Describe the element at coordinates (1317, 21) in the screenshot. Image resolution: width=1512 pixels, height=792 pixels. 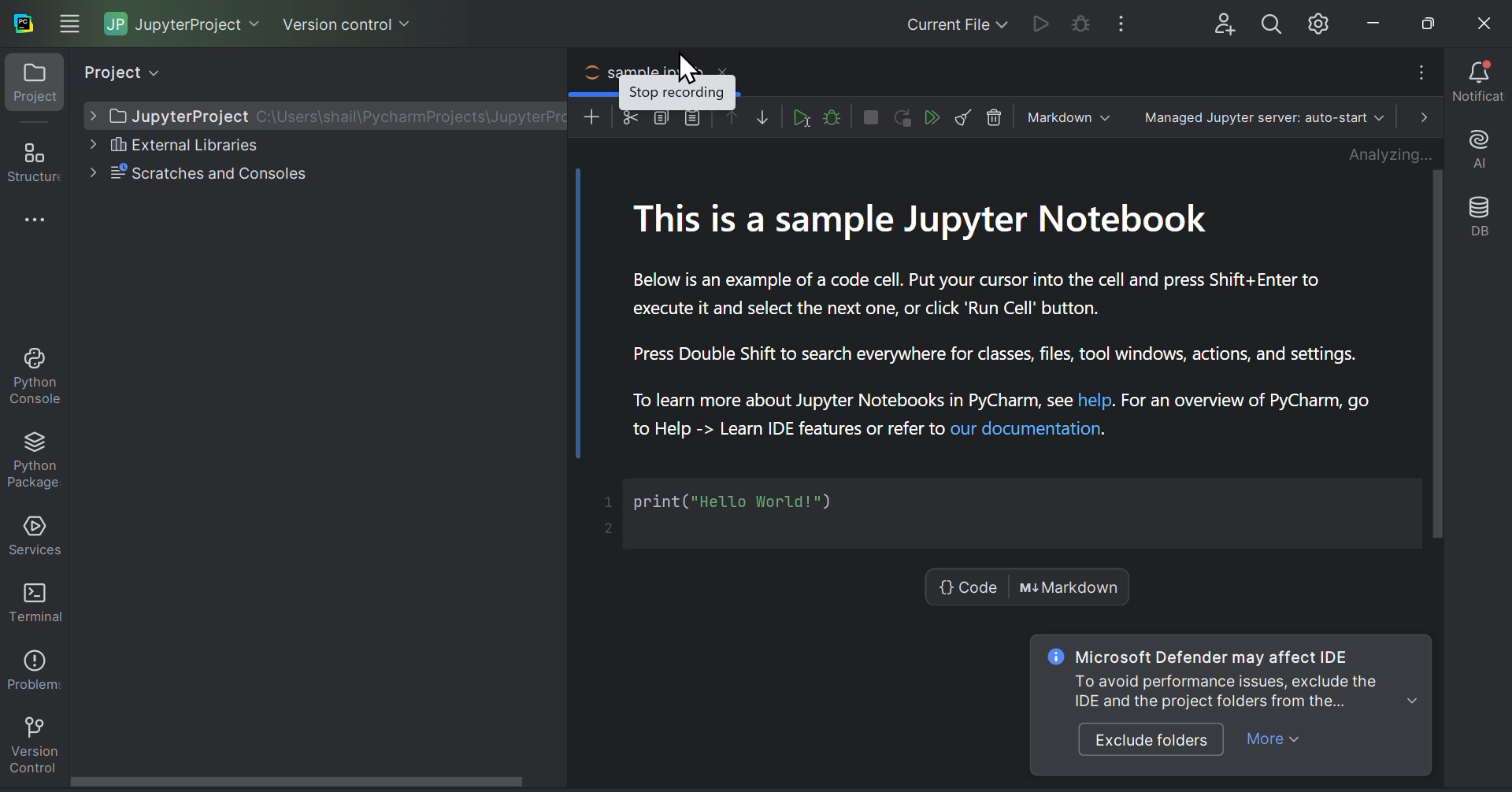
I see `Settings` at that location.